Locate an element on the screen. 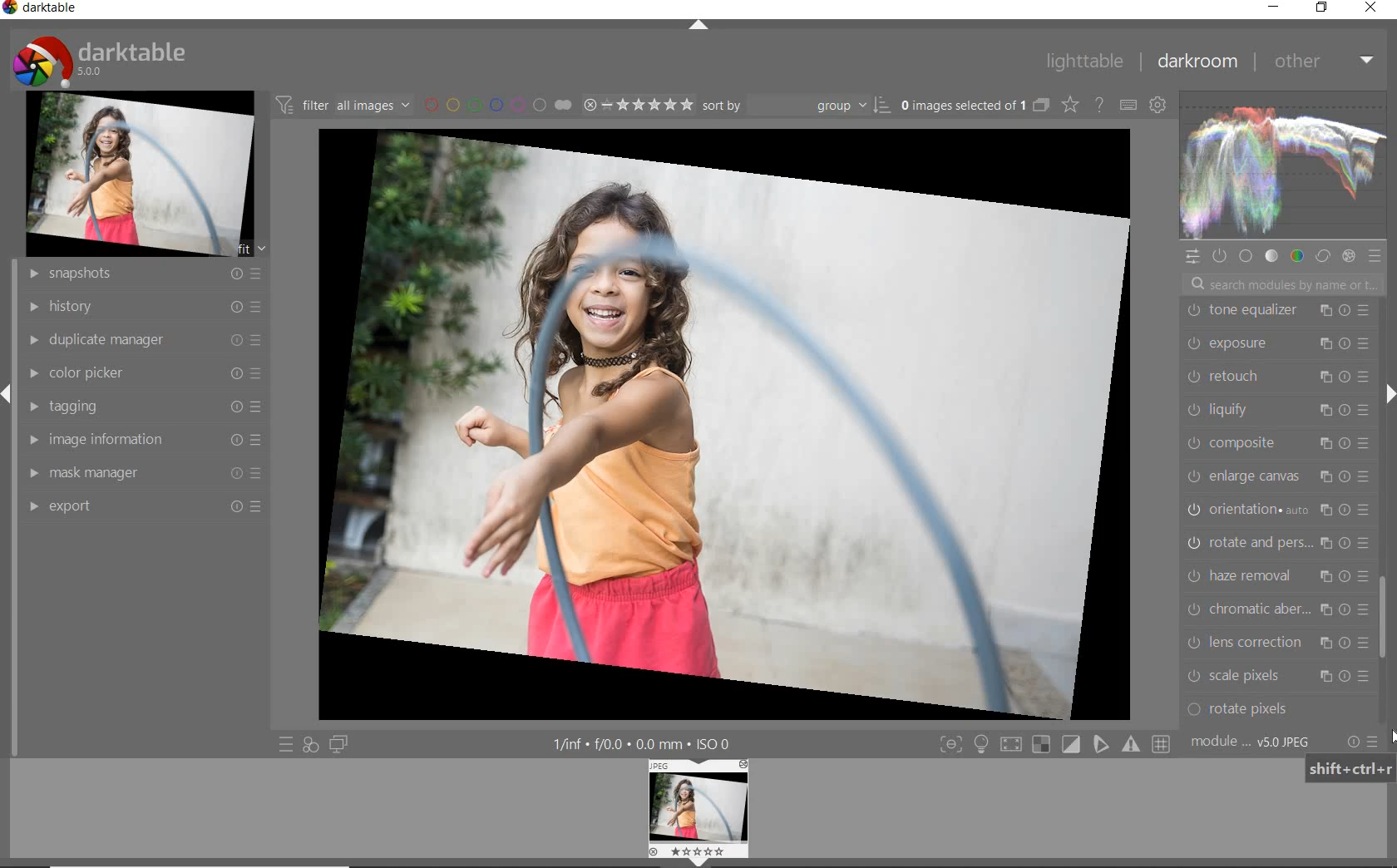  composite is located at coordinates (1278, 442).